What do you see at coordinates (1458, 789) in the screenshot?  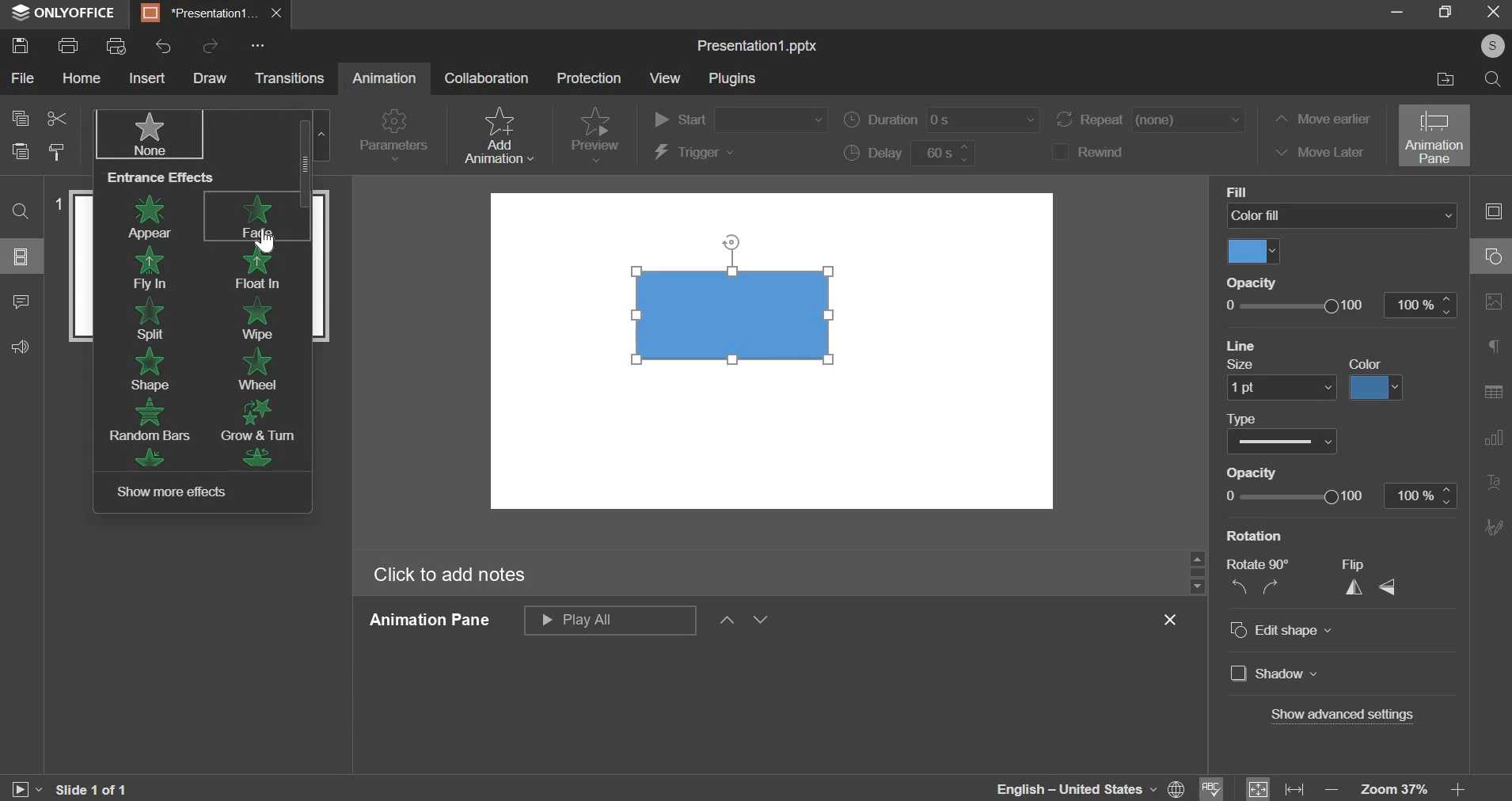 I see `zoom` at bounding box center [1458, 789].